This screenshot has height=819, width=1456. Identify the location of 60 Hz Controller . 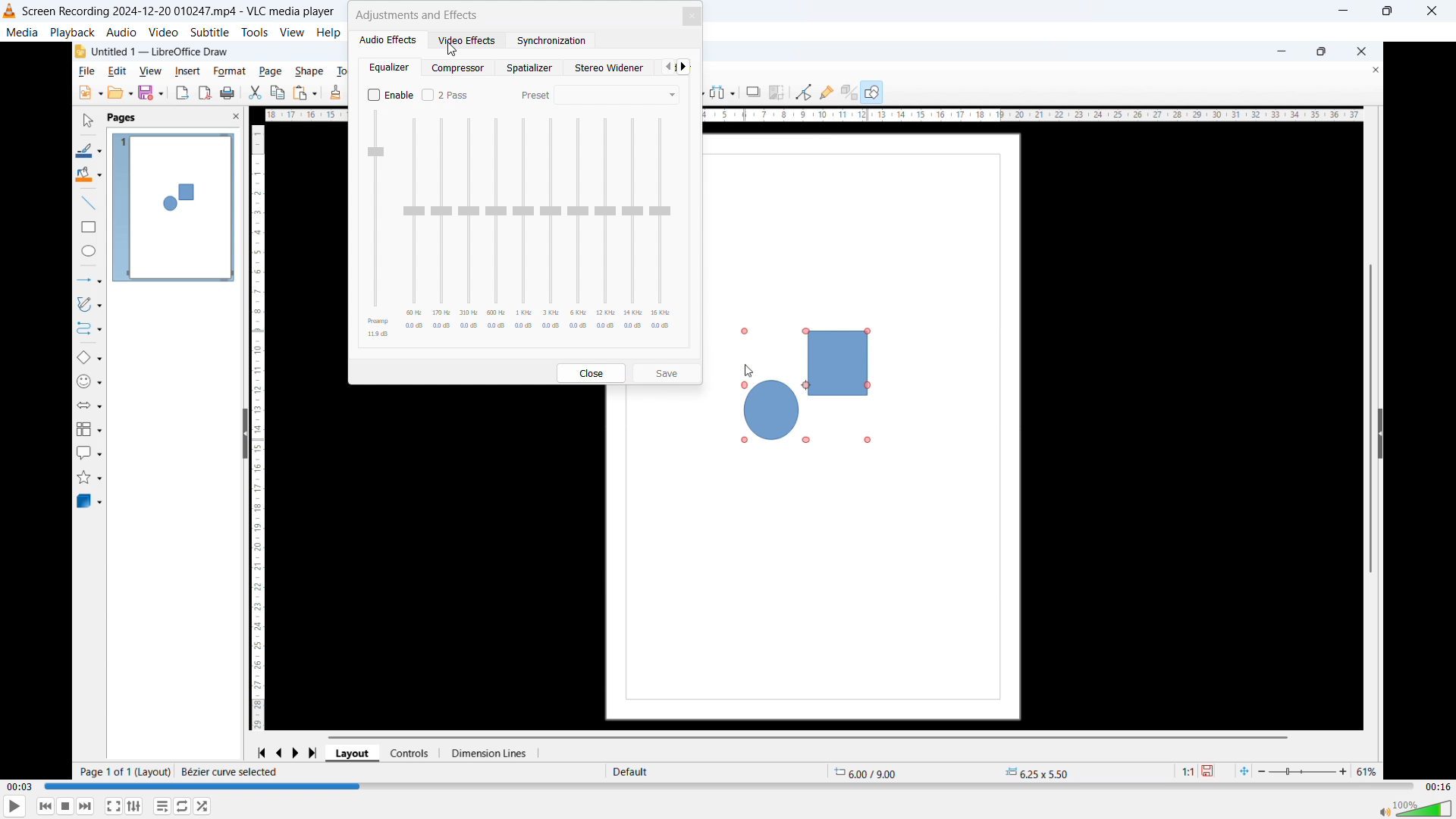
(414, 227).